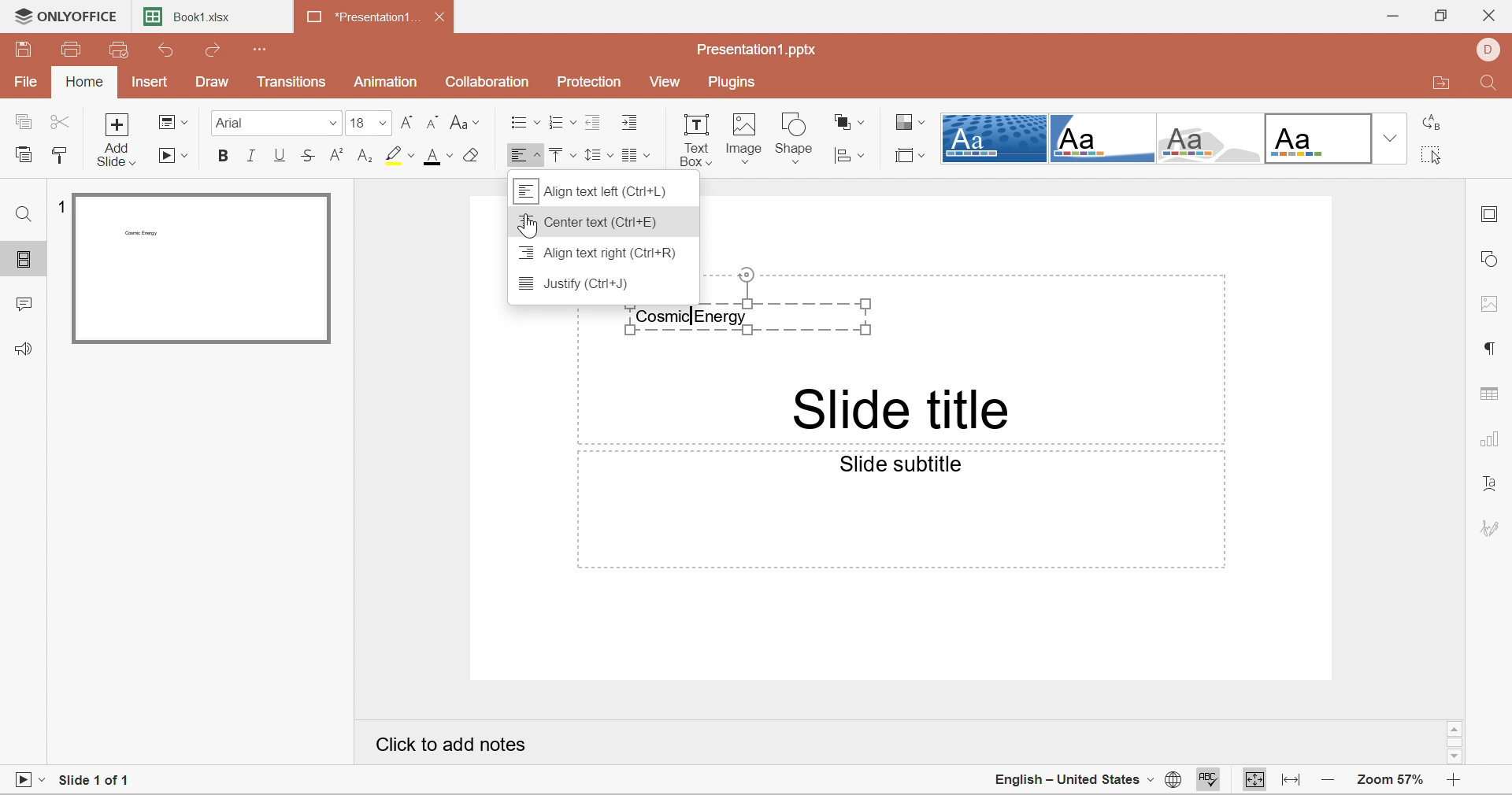  Describe the element at coordinates (220, 156) in the screenshot. I see `Bold` at that location.